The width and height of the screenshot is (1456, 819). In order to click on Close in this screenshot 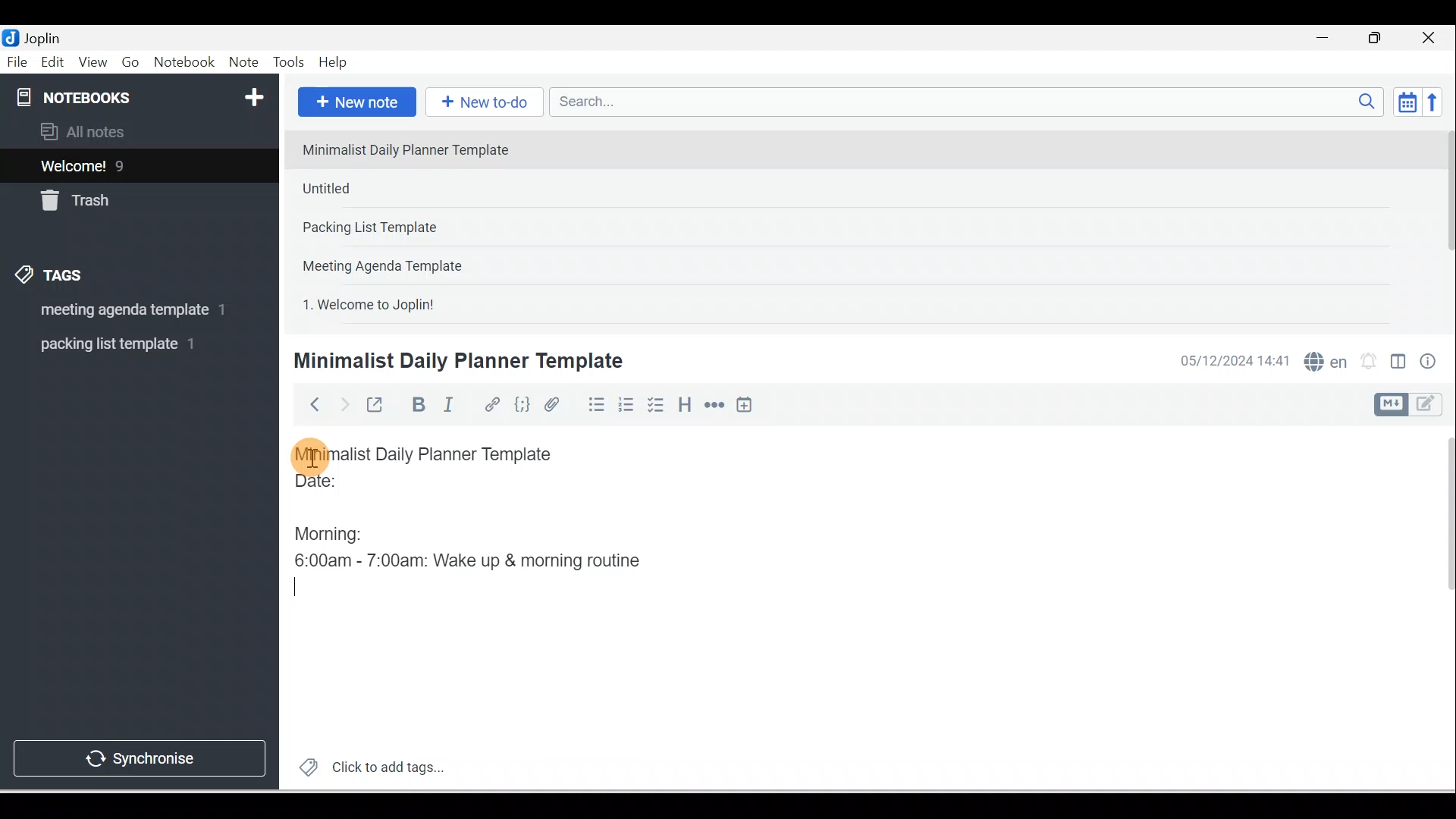, I will do `click(1432, 38)`.